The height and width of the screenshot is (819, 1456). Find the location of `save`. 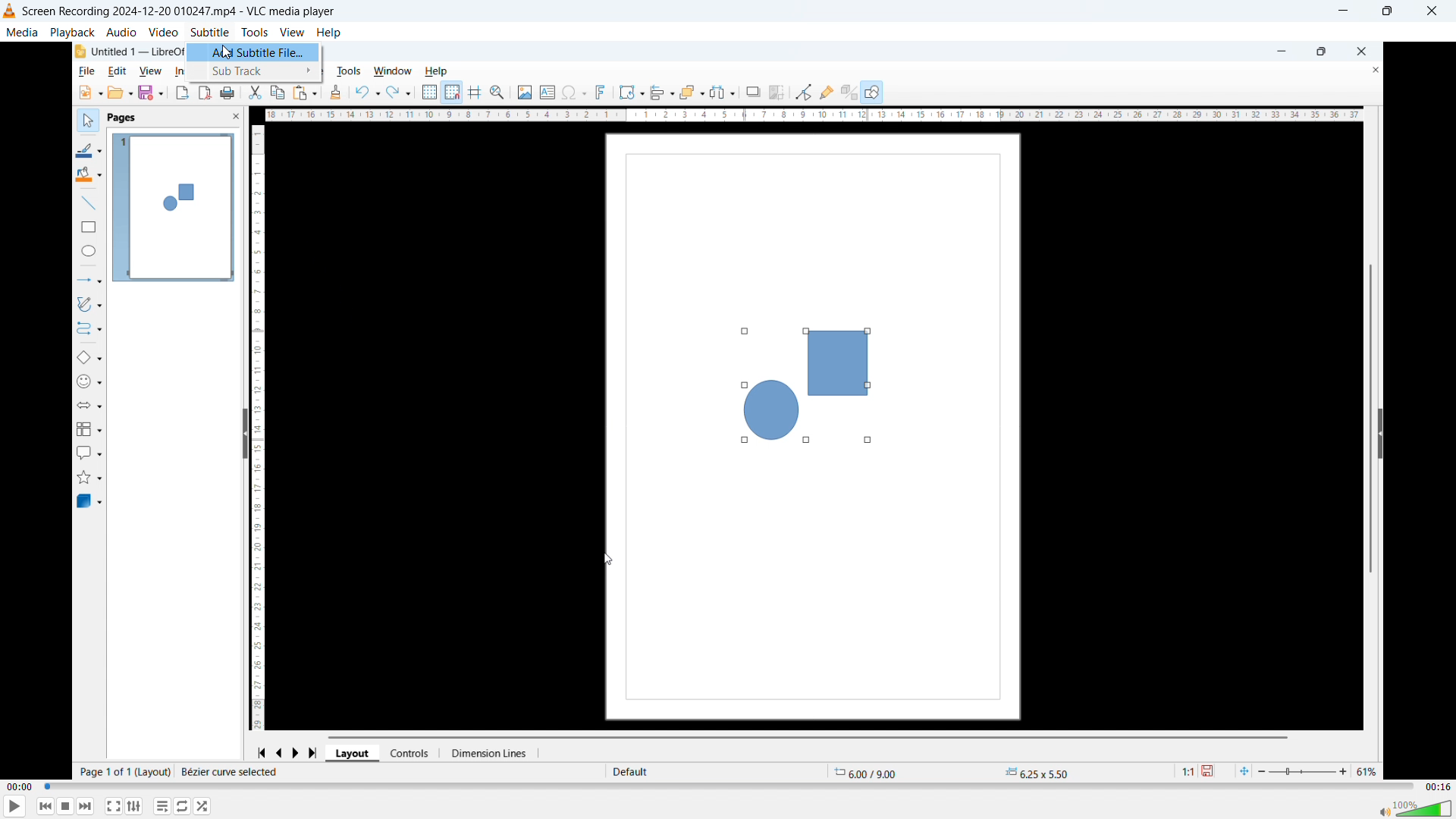

save is located at coordinates (1213, 771).